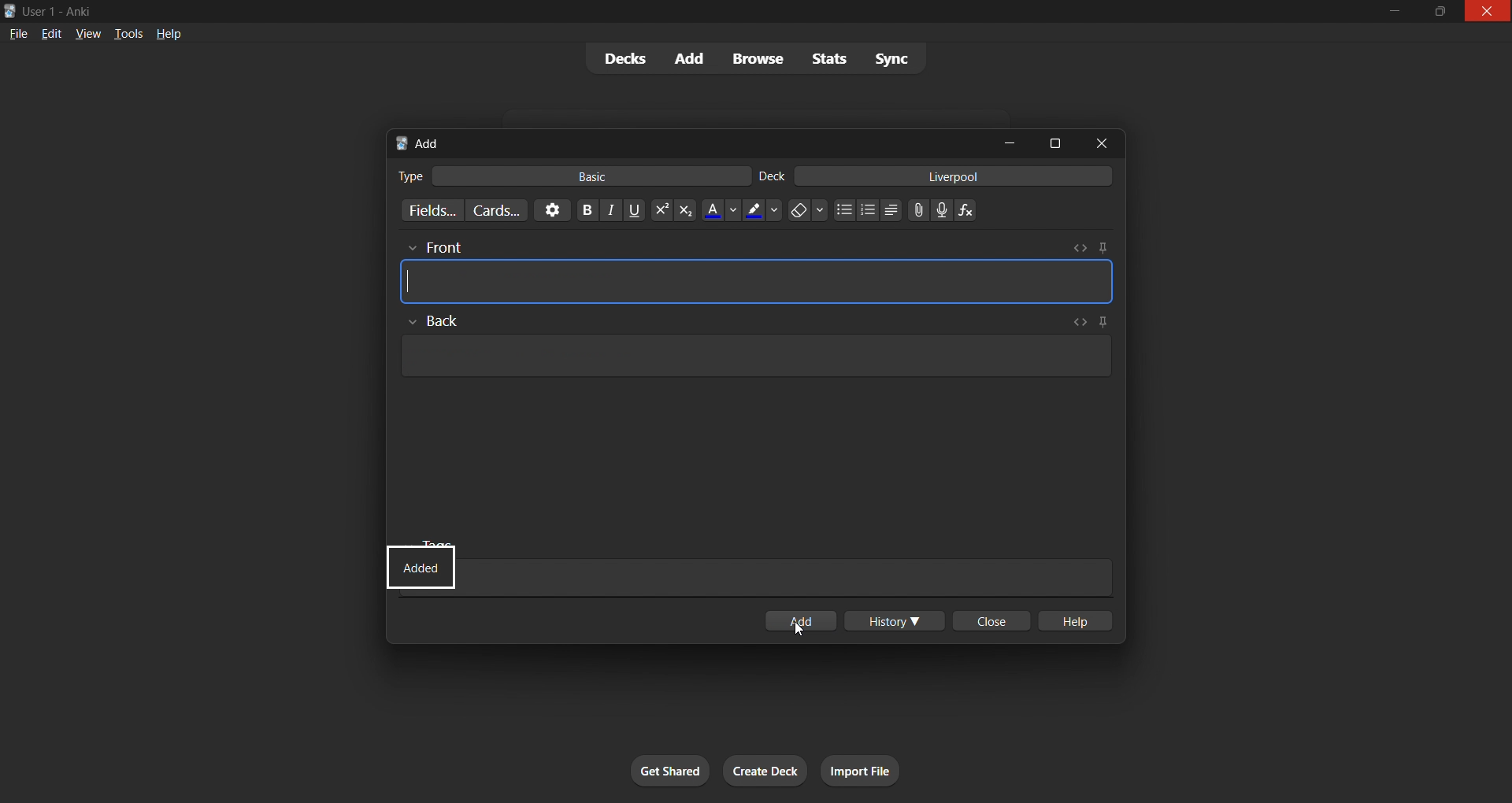 This screenshot has height=803, width=1512. I want to click on edit, so click(51, 35).